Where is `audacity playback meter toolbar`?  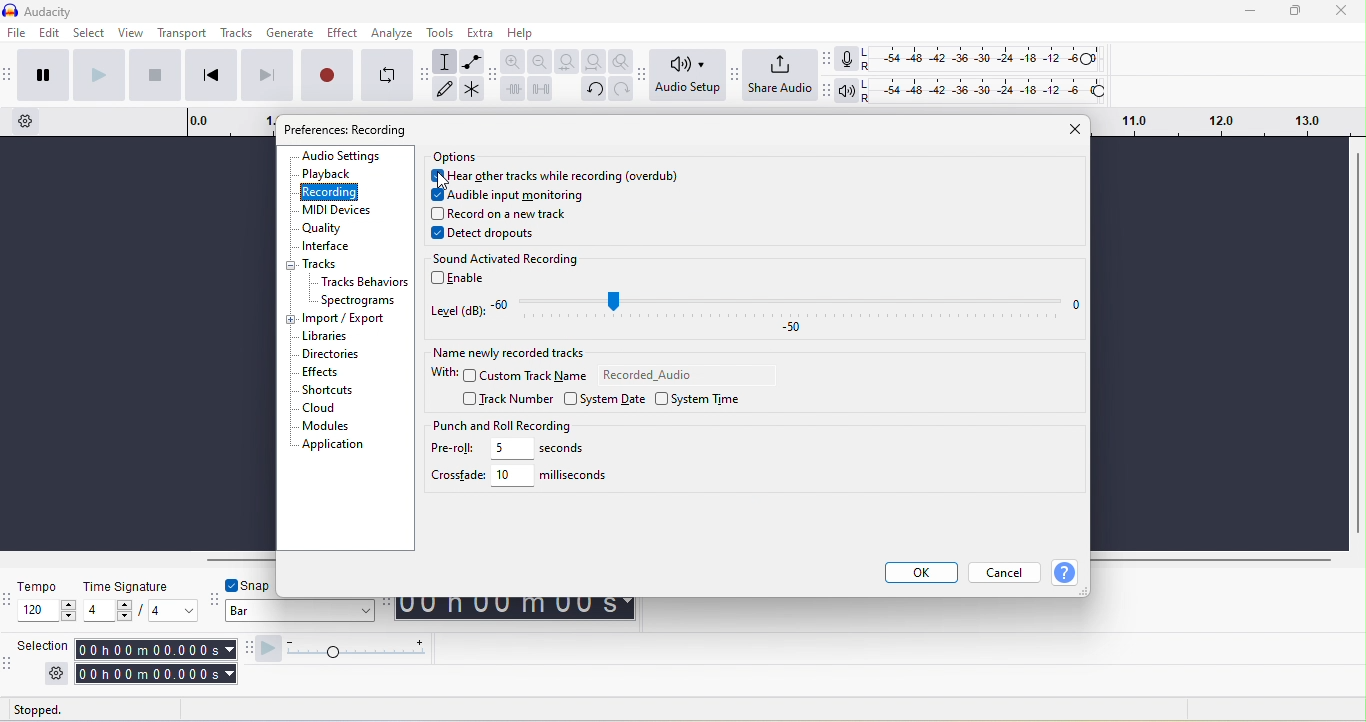
audacity playback meter toolbar is located at coordinates (823, 92).